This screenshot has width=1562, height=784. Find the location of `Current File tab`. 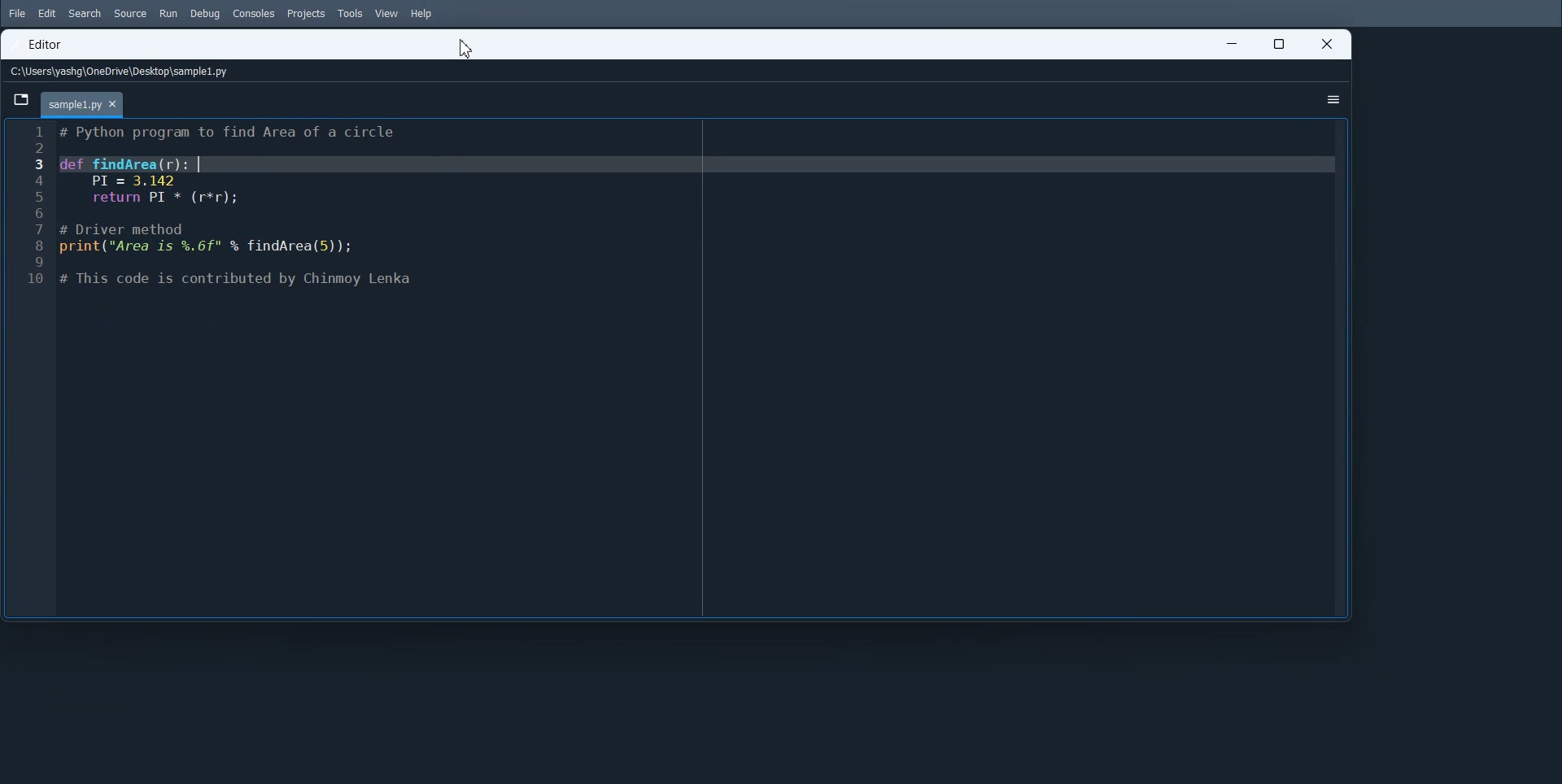

Current File tab is located at coordinates (85, 103).